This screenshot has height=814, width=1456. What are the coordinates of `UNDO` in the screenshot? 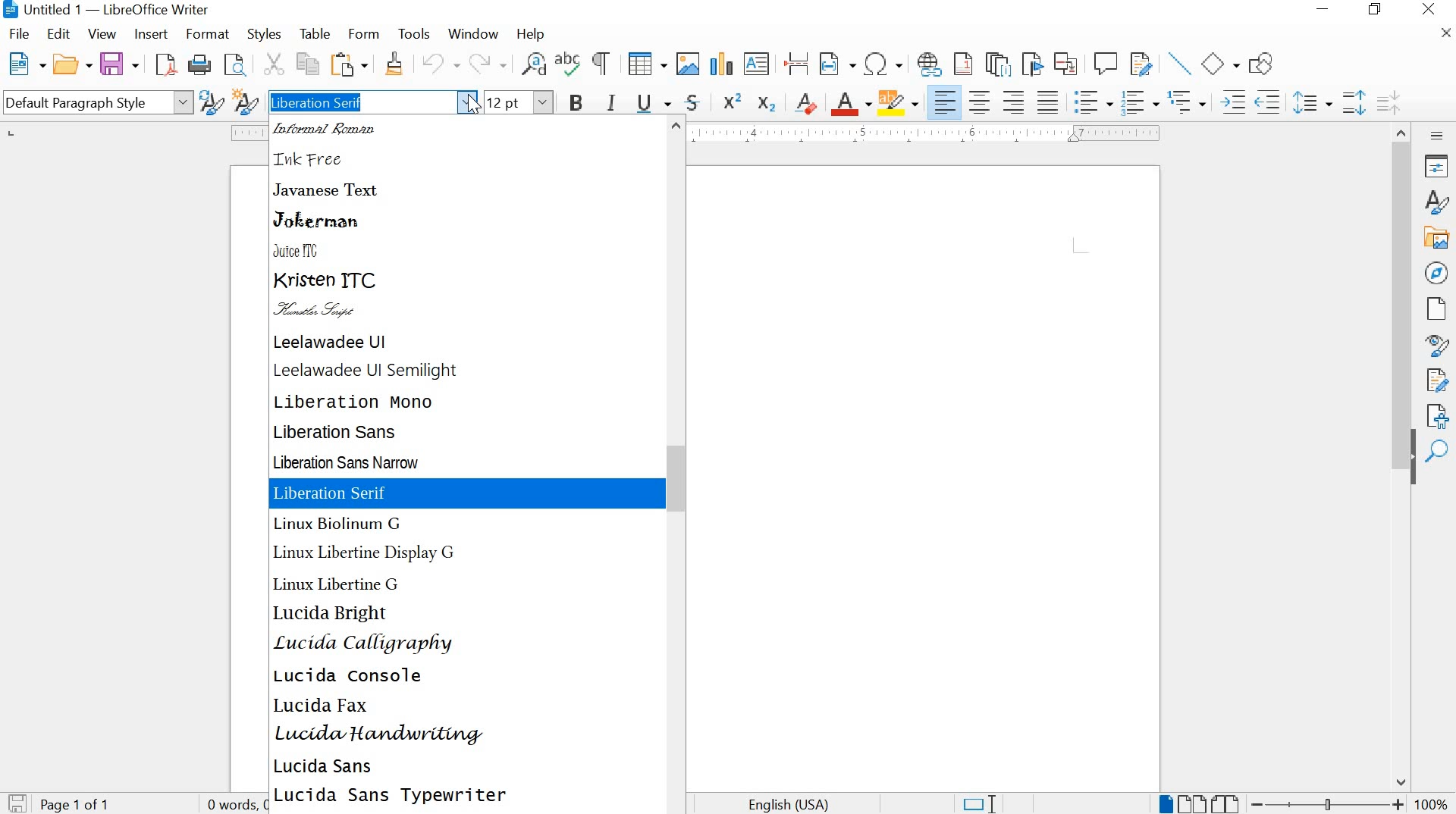 It's located at (435, 66).